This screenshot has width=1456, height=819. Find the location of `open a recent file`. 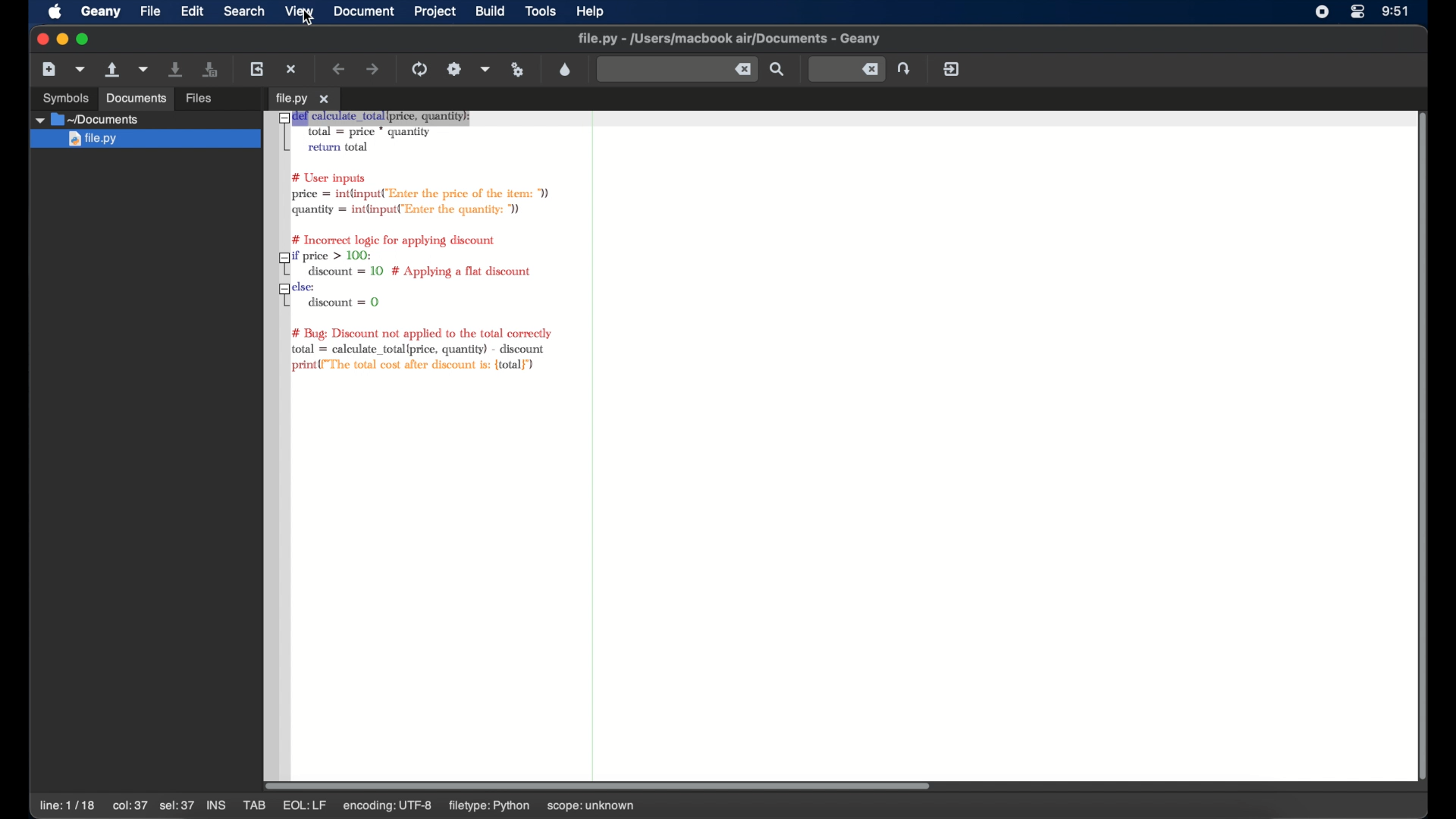

open a recent file is located at coordinates (145, 69).